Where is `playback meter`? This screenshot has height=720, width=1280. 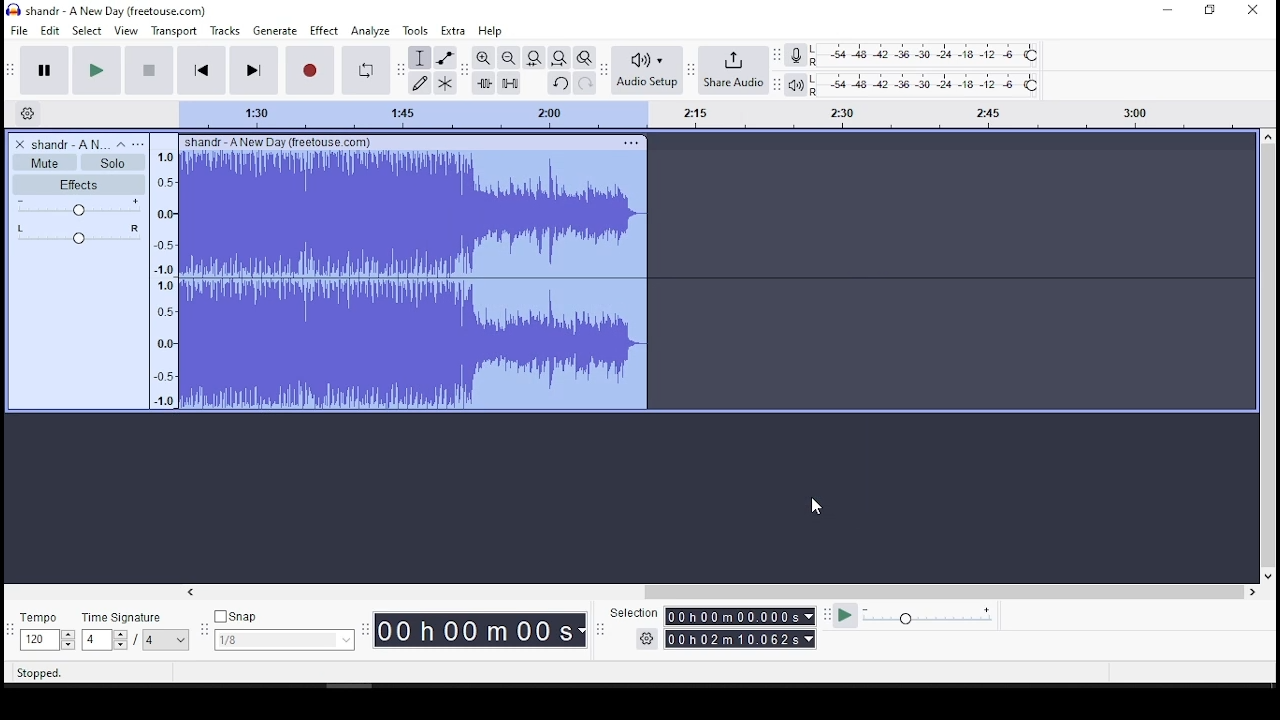 playback meter is located at coordinates (794, 84).